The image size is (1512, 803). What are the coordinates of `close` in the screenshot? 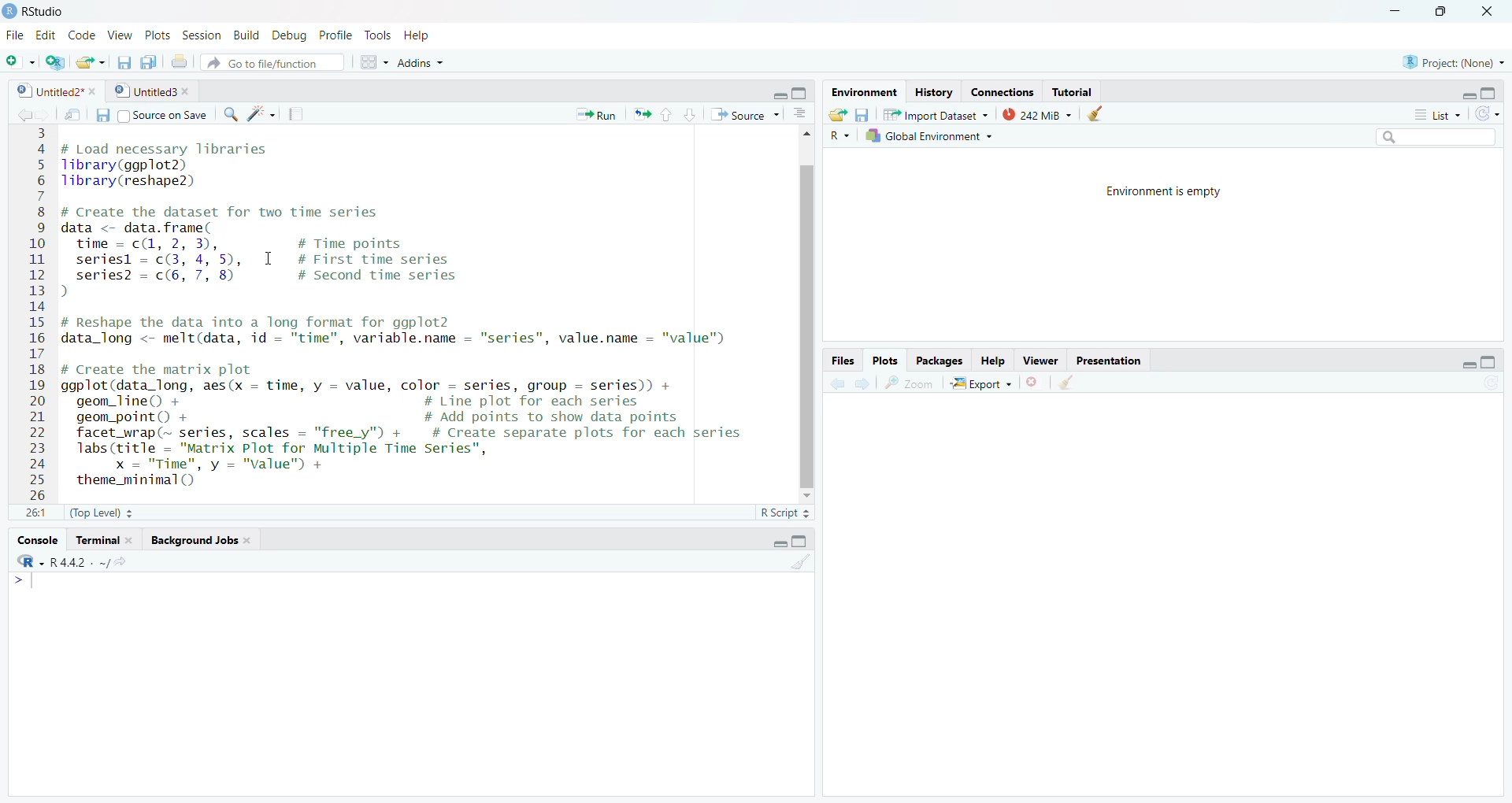 It's located at (1035, 382).